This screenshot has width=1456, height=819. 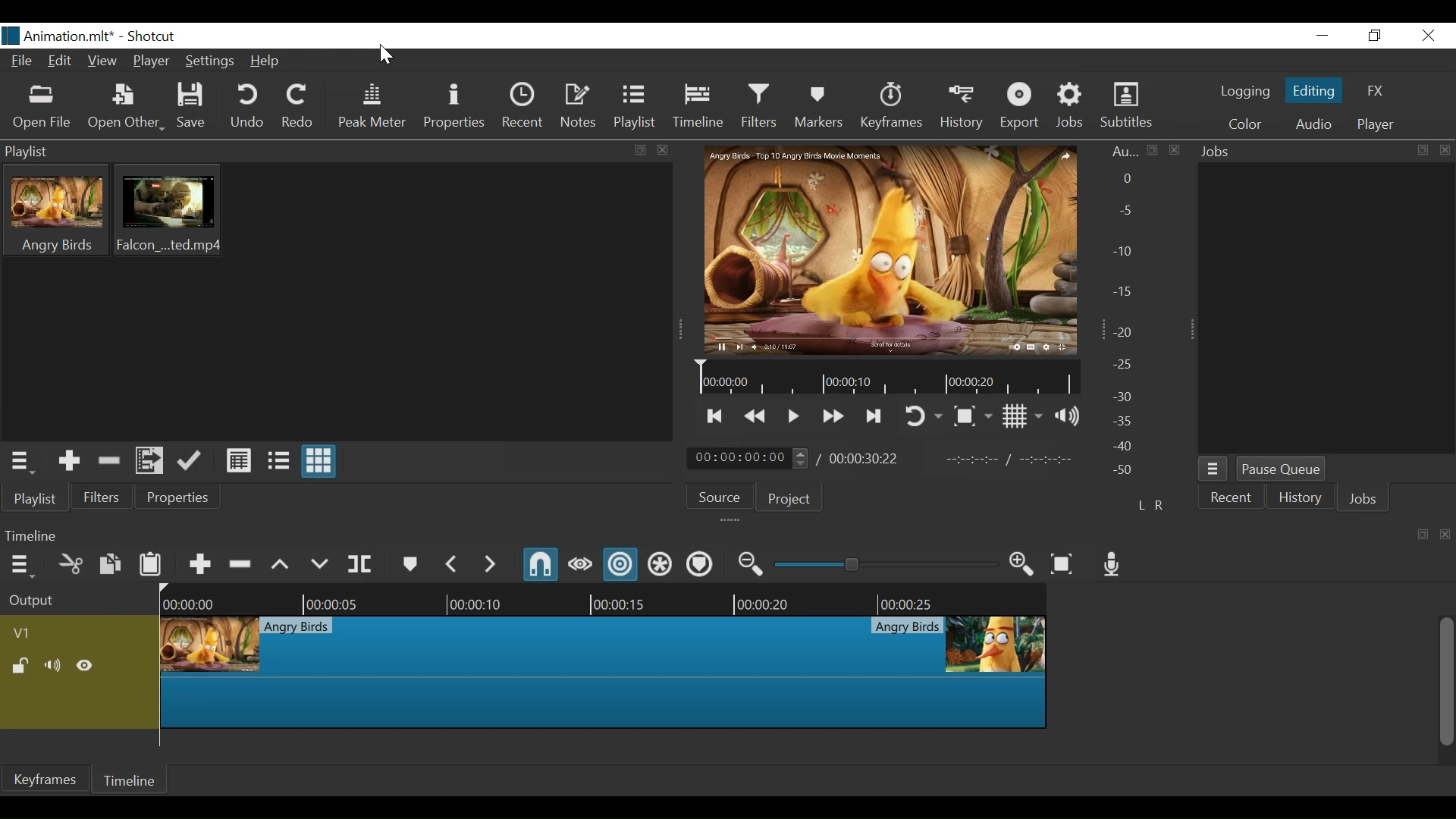 What do you see at coordinates (1214, 470) in the screenshot?
I see `Jobs Menu` at bounding box center [1214, 470].